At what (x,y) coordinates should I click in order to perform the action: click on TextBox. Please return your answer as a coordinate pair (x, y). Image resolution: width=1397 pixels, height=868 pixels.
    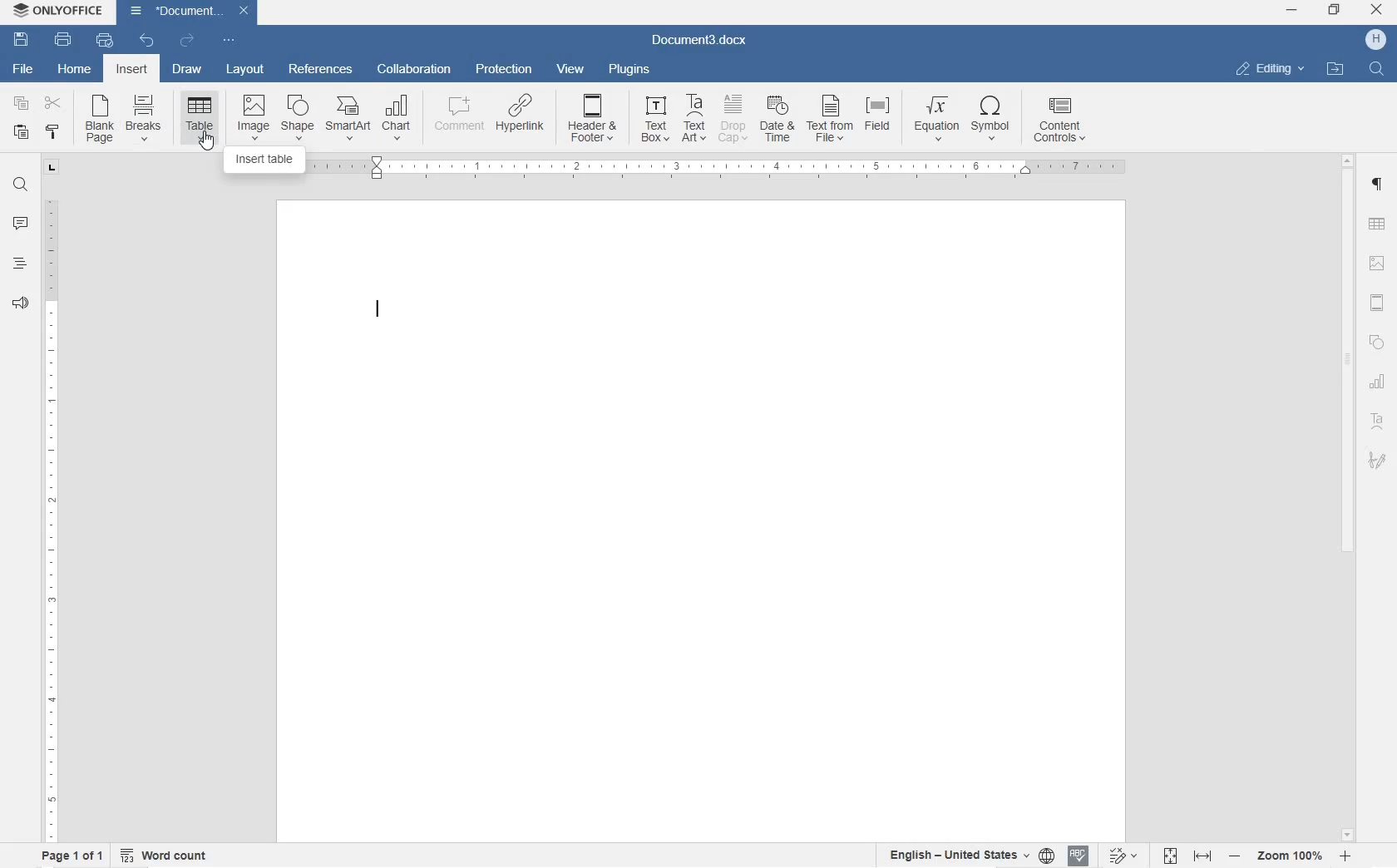
    Looking at the image, I should click on (650, 119).